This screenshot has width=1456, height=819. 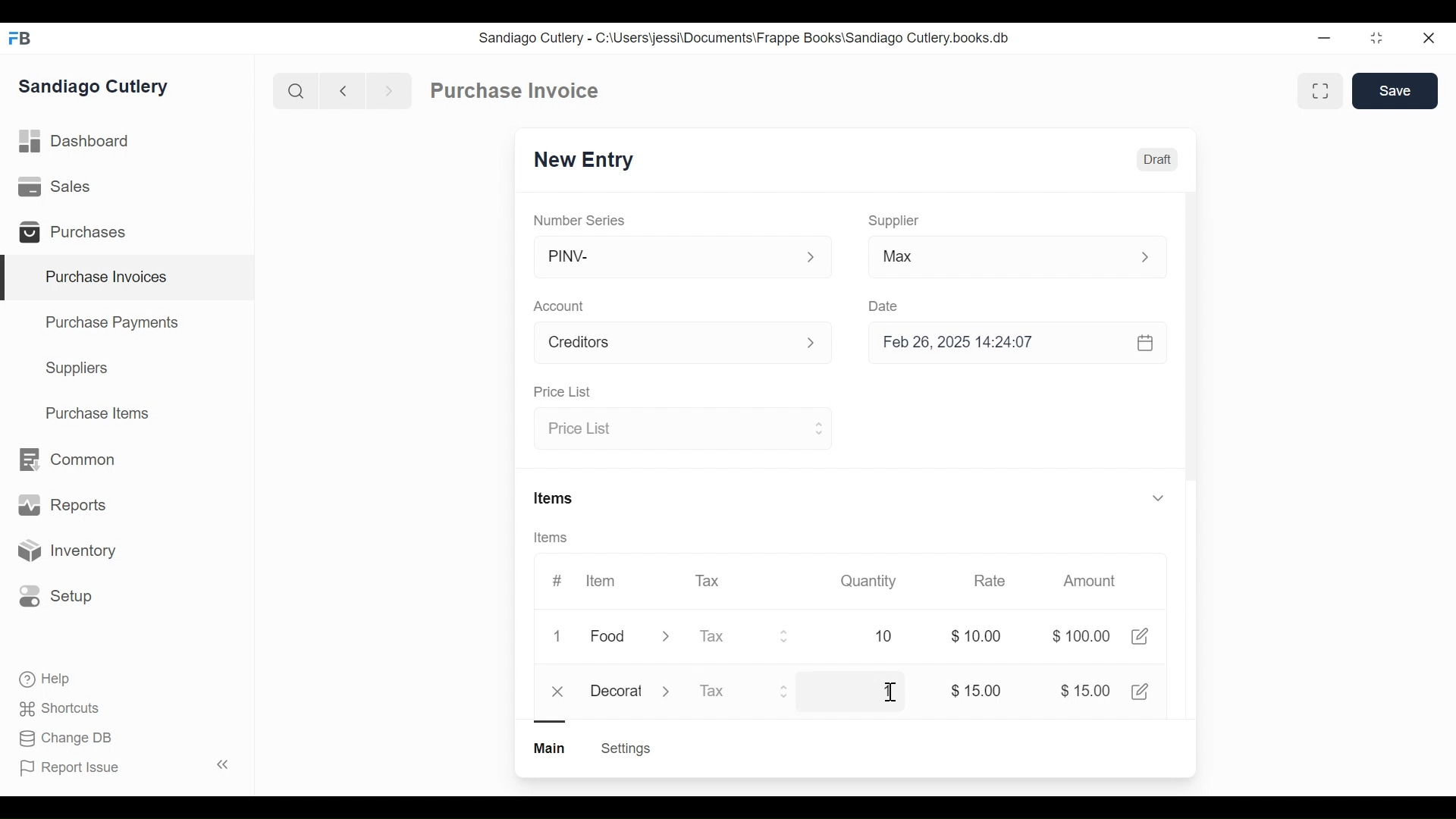 I want to click on Main, so click(x=551, y=747).